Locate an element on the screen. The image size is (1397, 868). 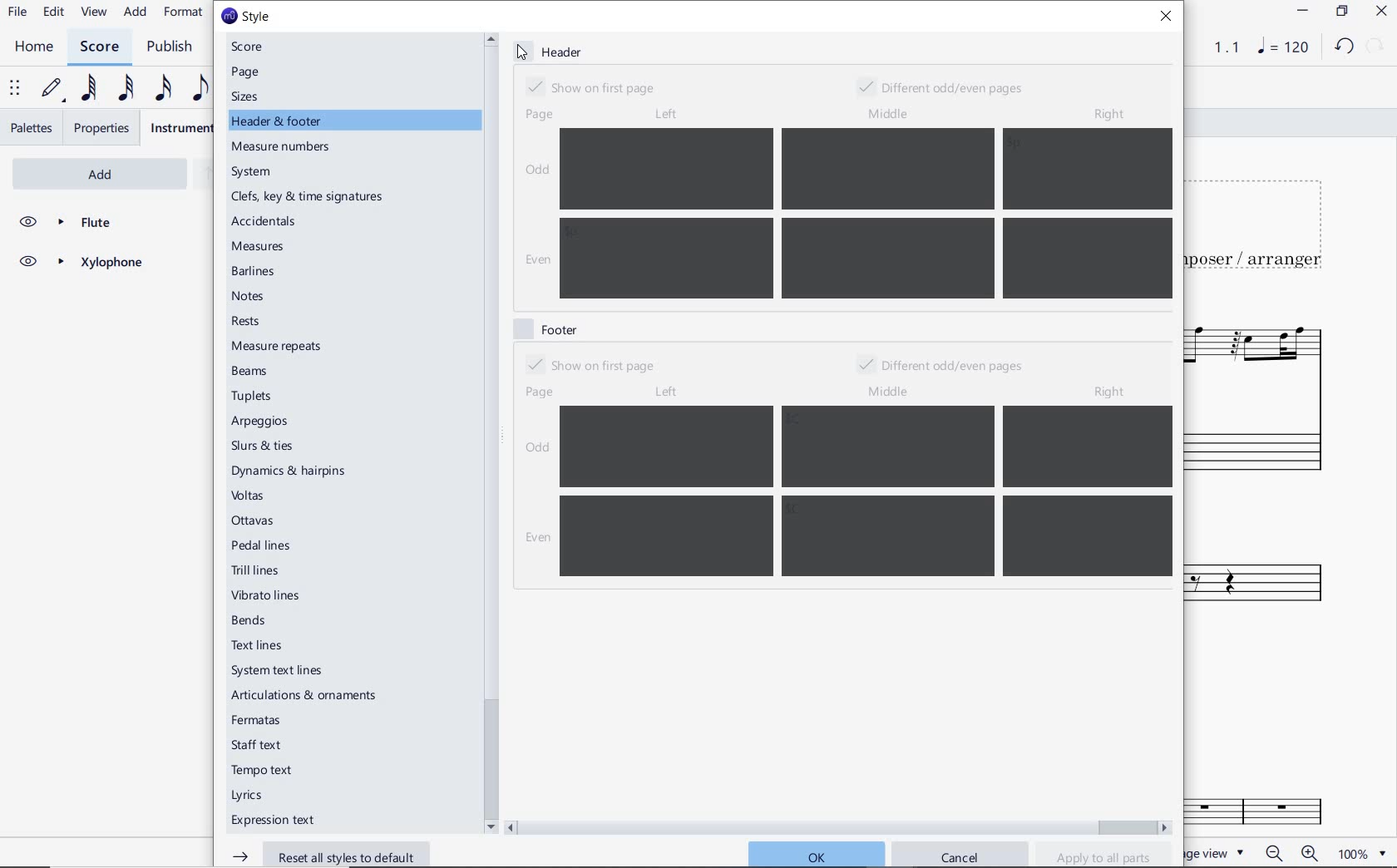
show on first page is located at coordinates (590, 364).